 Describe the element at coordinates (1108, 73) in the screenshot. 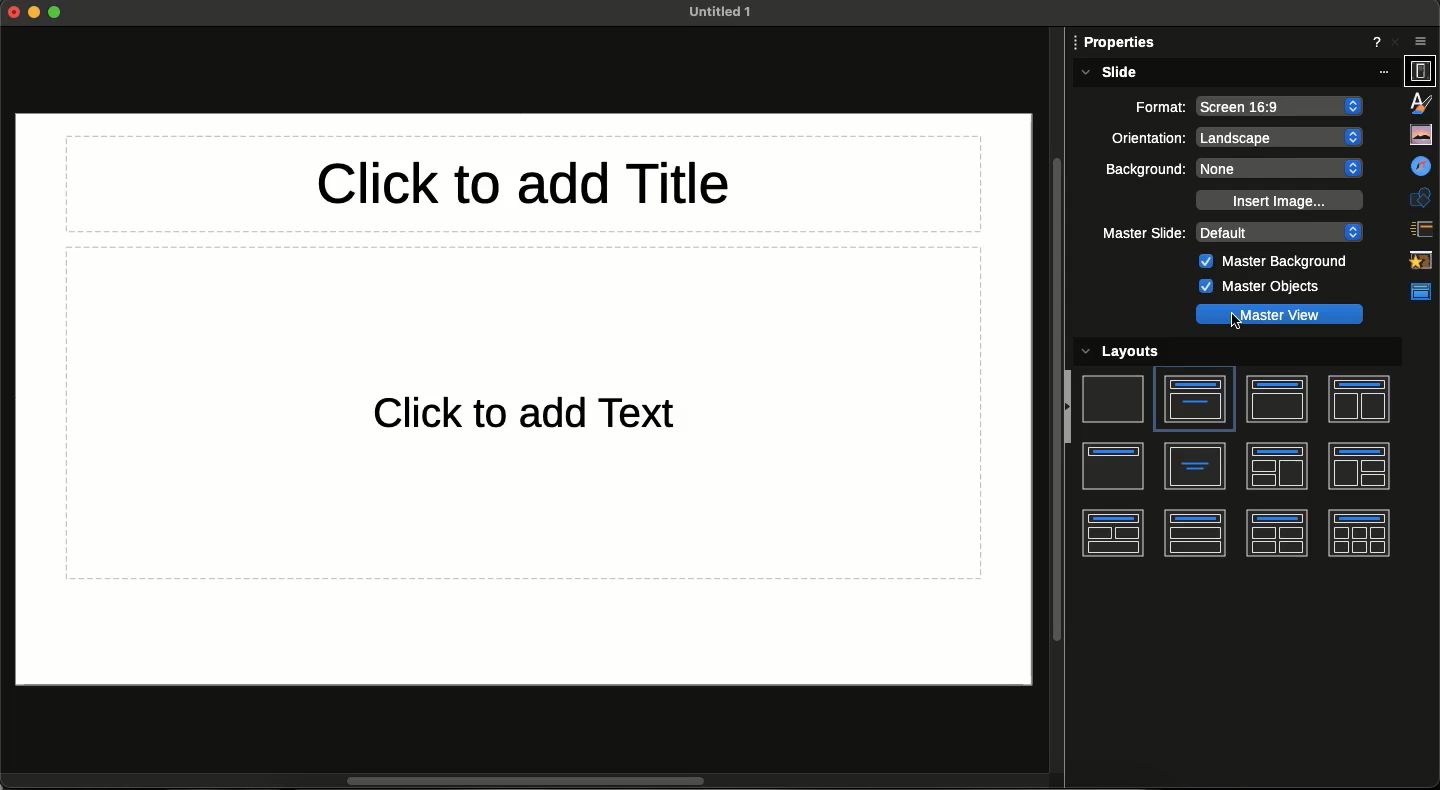

I see `Slide` at that location.